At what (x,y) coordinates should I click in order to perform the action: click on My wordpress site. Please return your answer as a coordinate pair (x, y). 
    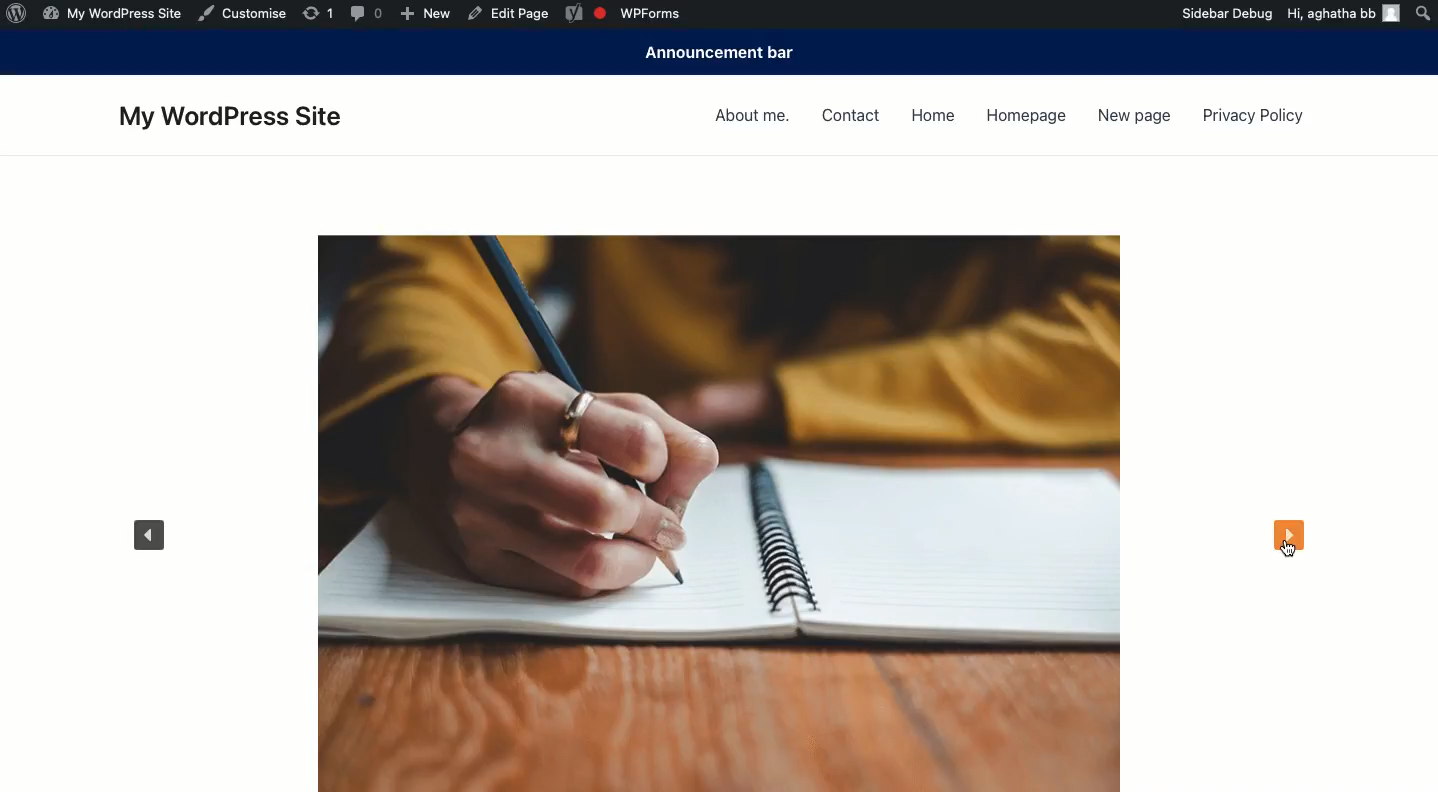
    Looking at the image, I should click on (221, 120).